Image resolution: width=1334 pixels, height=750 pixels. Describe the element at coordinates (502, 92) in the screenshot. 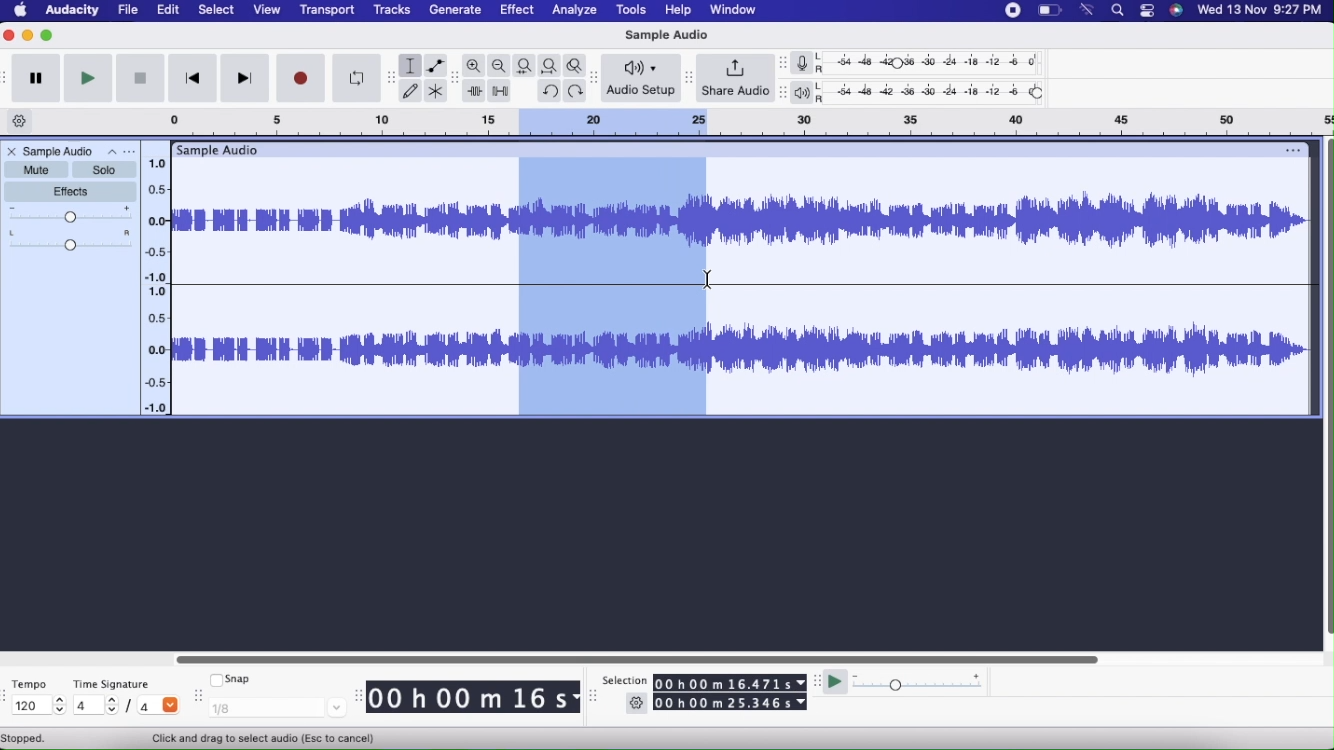

I see `Silence audio selection` at that location.